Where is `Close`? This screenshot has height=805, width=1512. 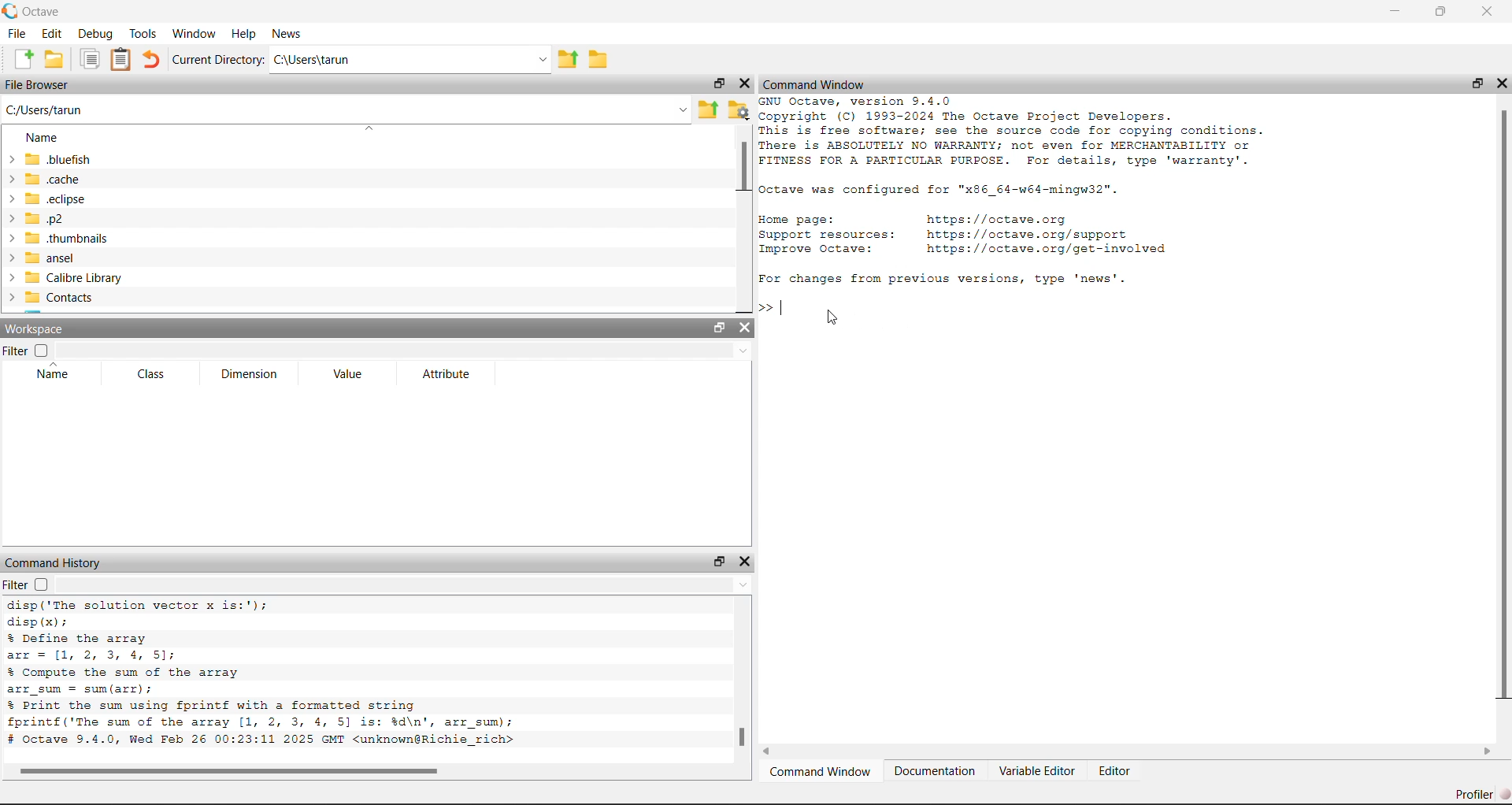
Close is located at coordinates (746, 562).